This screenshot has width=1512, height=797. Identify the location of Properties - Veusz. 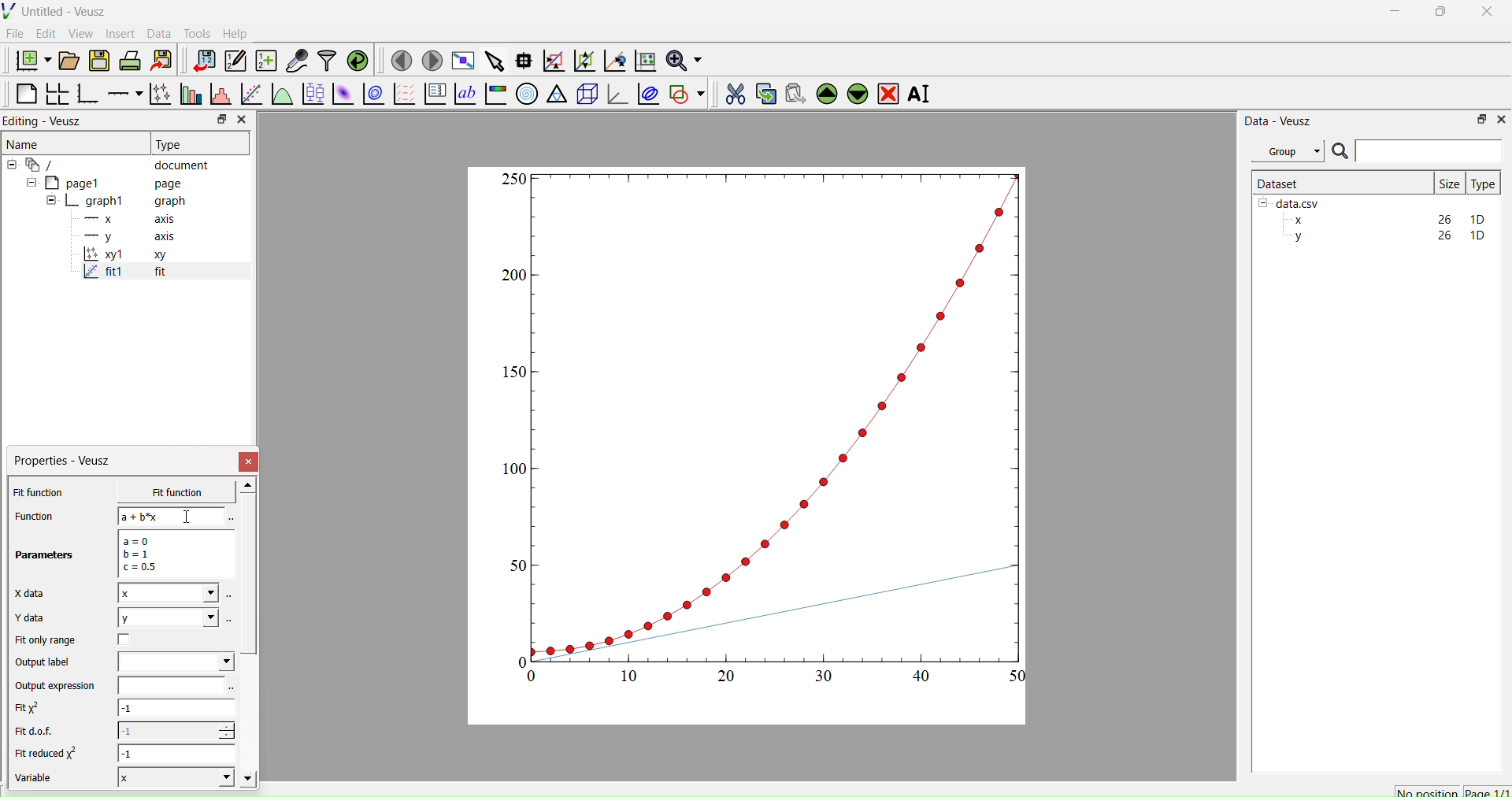
(66, 461).